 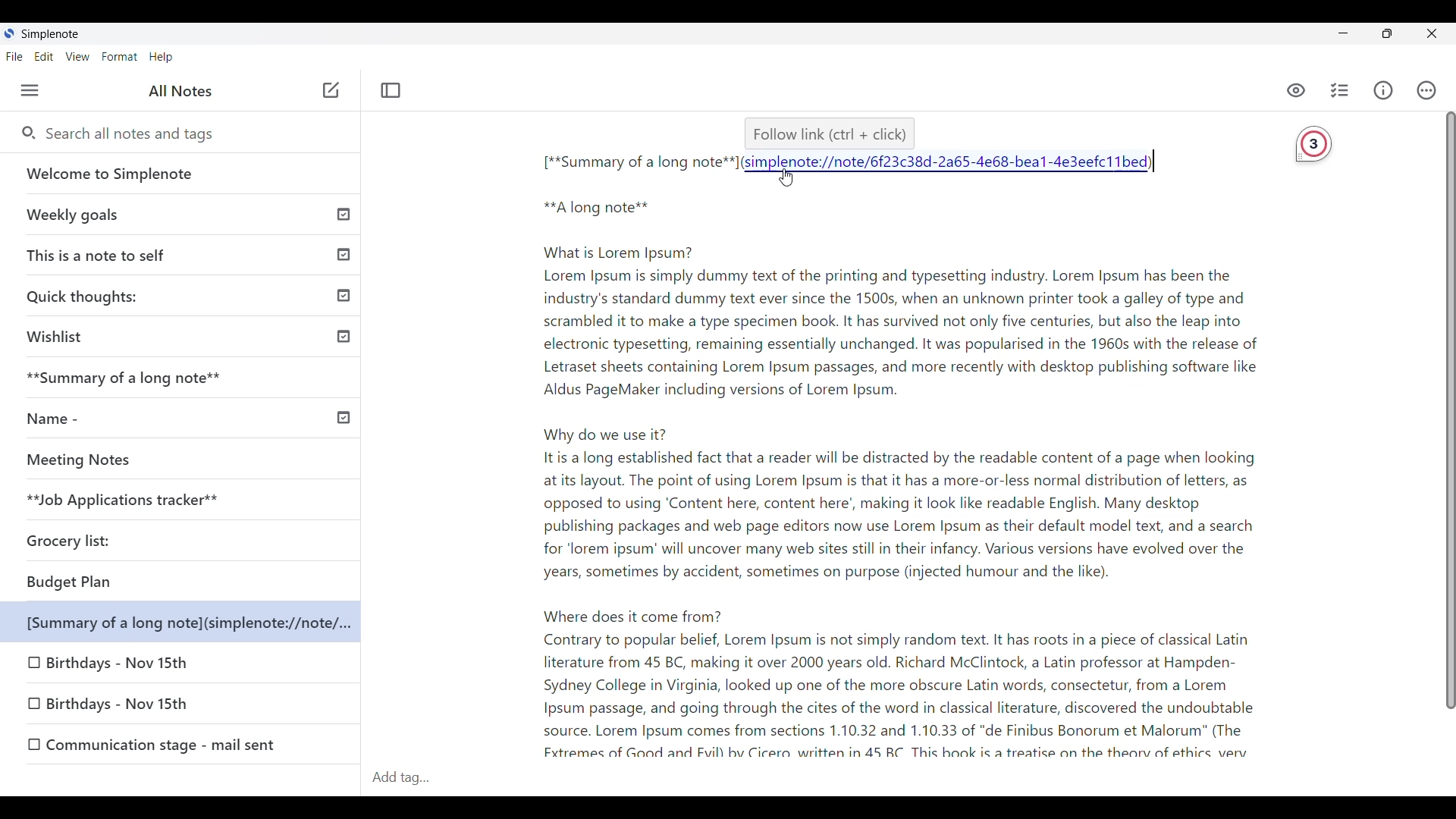 I want to click on Cursor, so click(x=792, y=180).